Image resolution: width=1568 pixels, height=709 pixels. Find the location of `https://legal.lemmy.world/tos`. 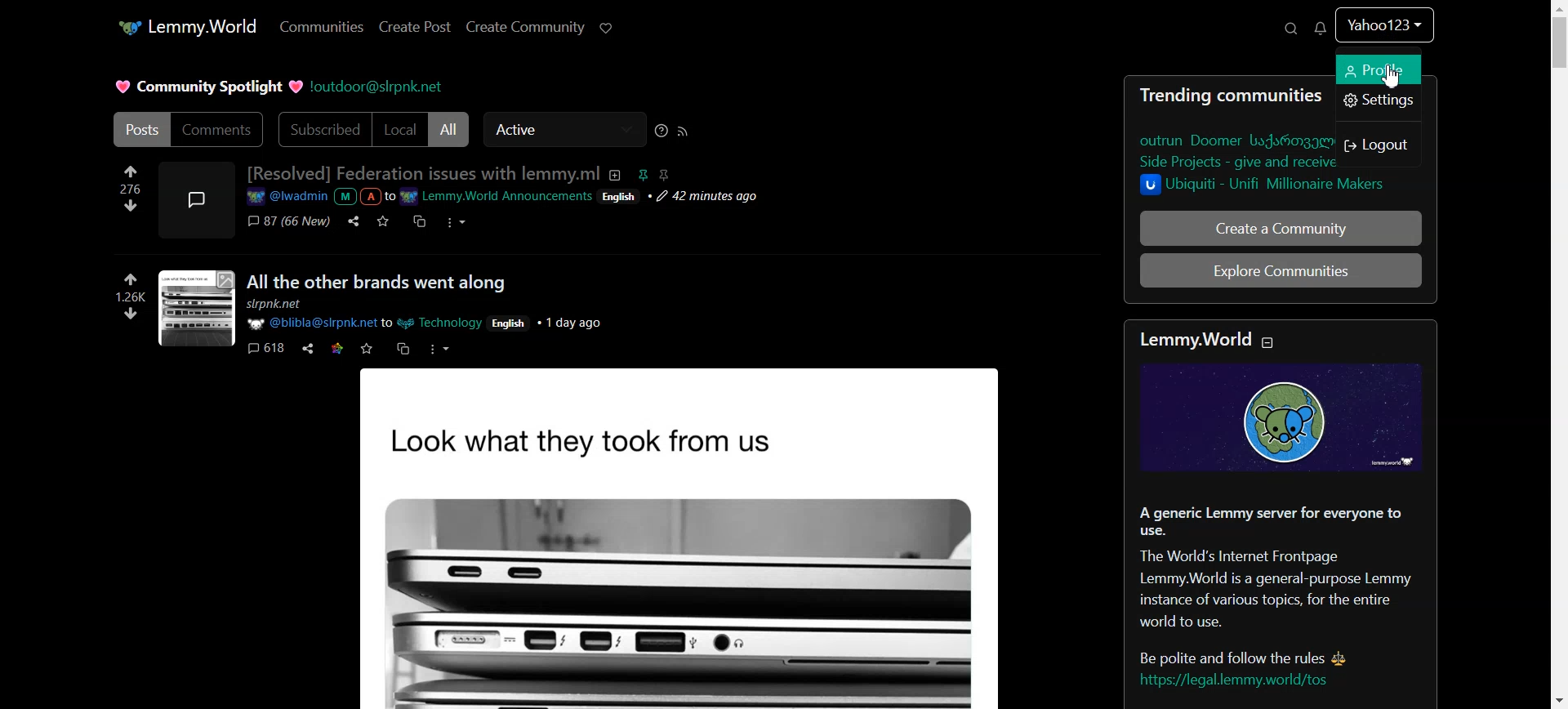

https://legal.lemmy.world/tos is located at coordinates (1232, 682).